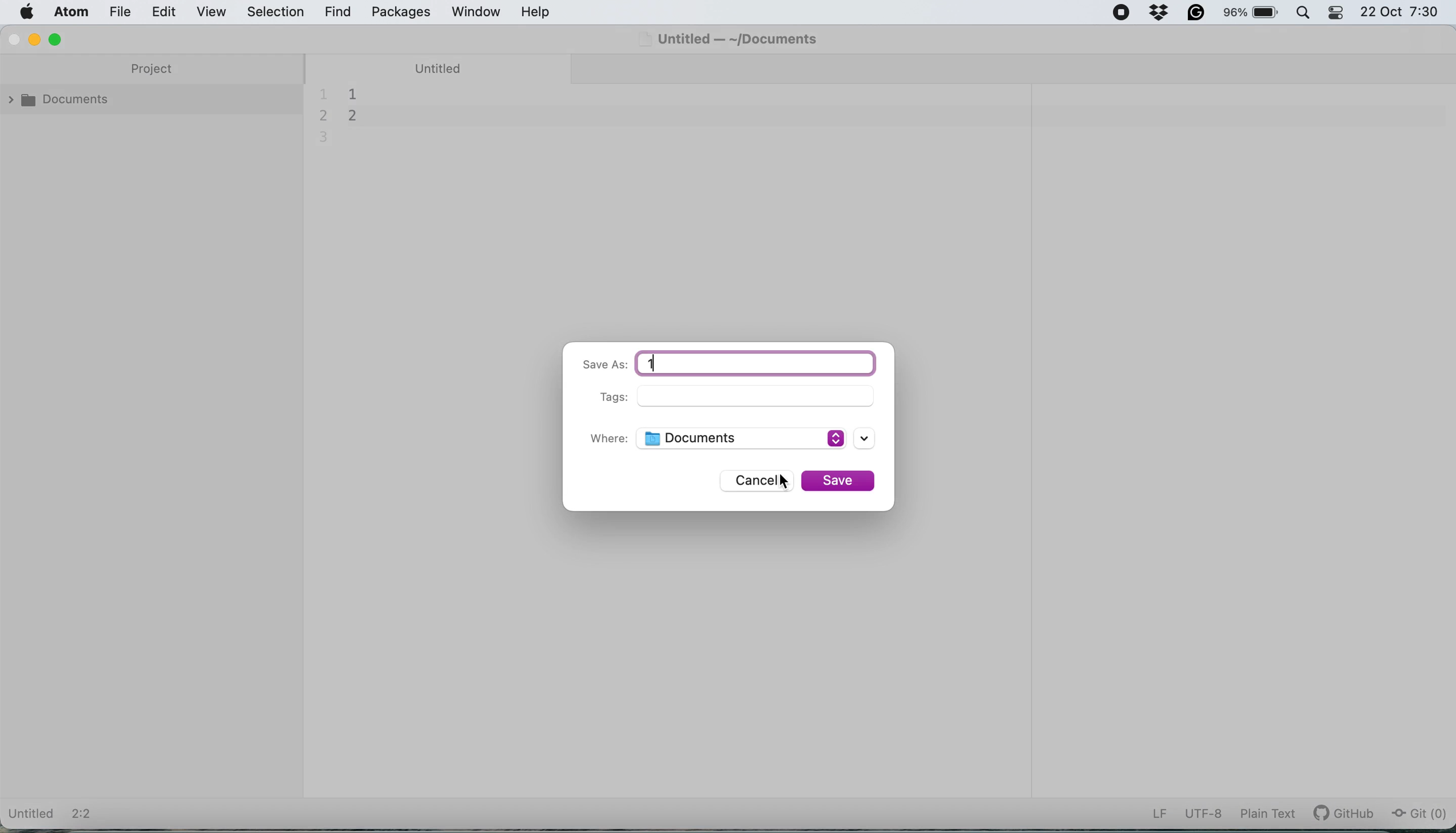 The image size is (1456, 833). I want to click on atom, so click(74, 14).